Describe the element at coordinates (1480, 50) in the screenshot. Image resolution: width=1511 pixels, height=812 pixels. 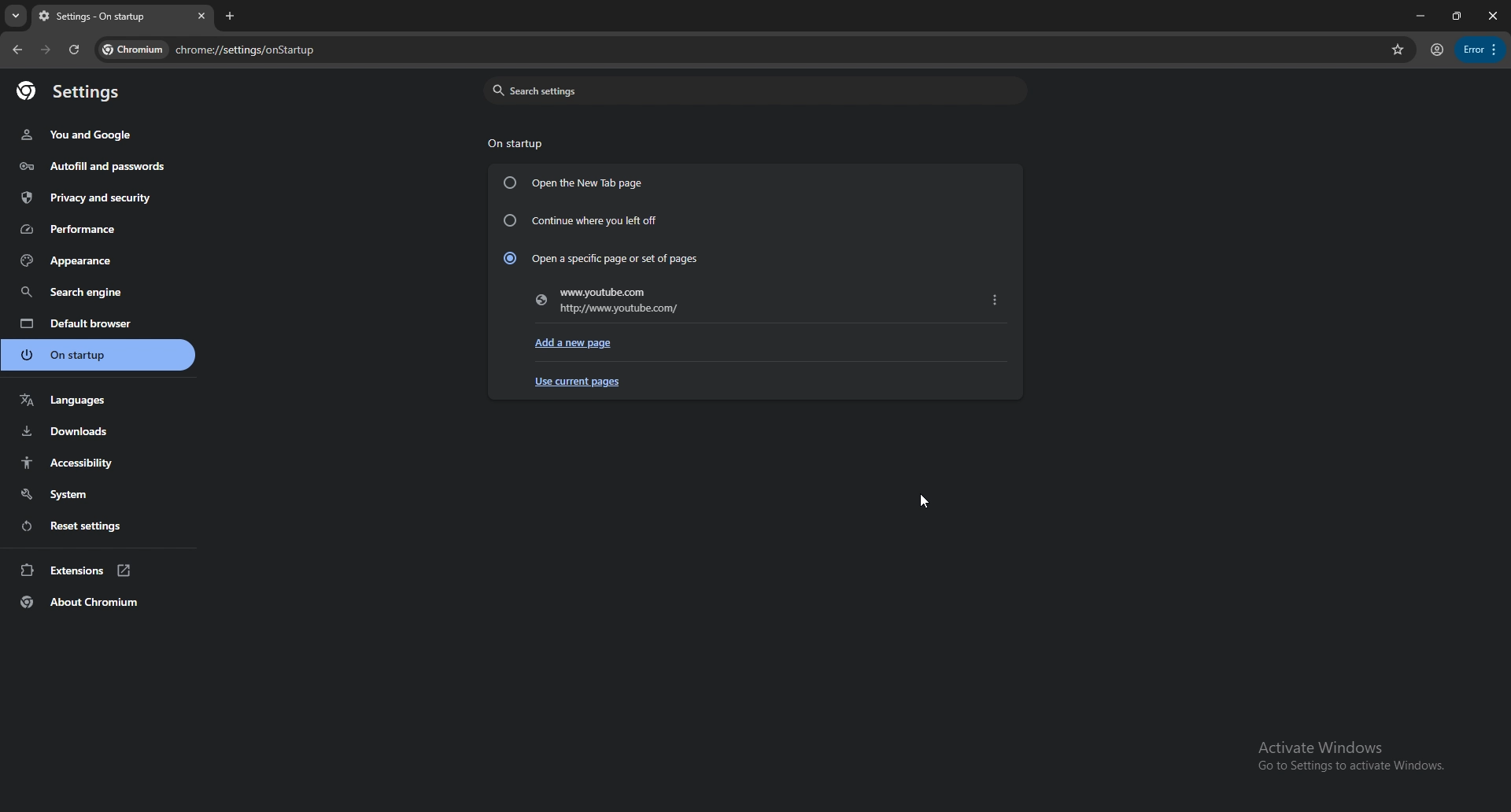
I see `options` at that location.